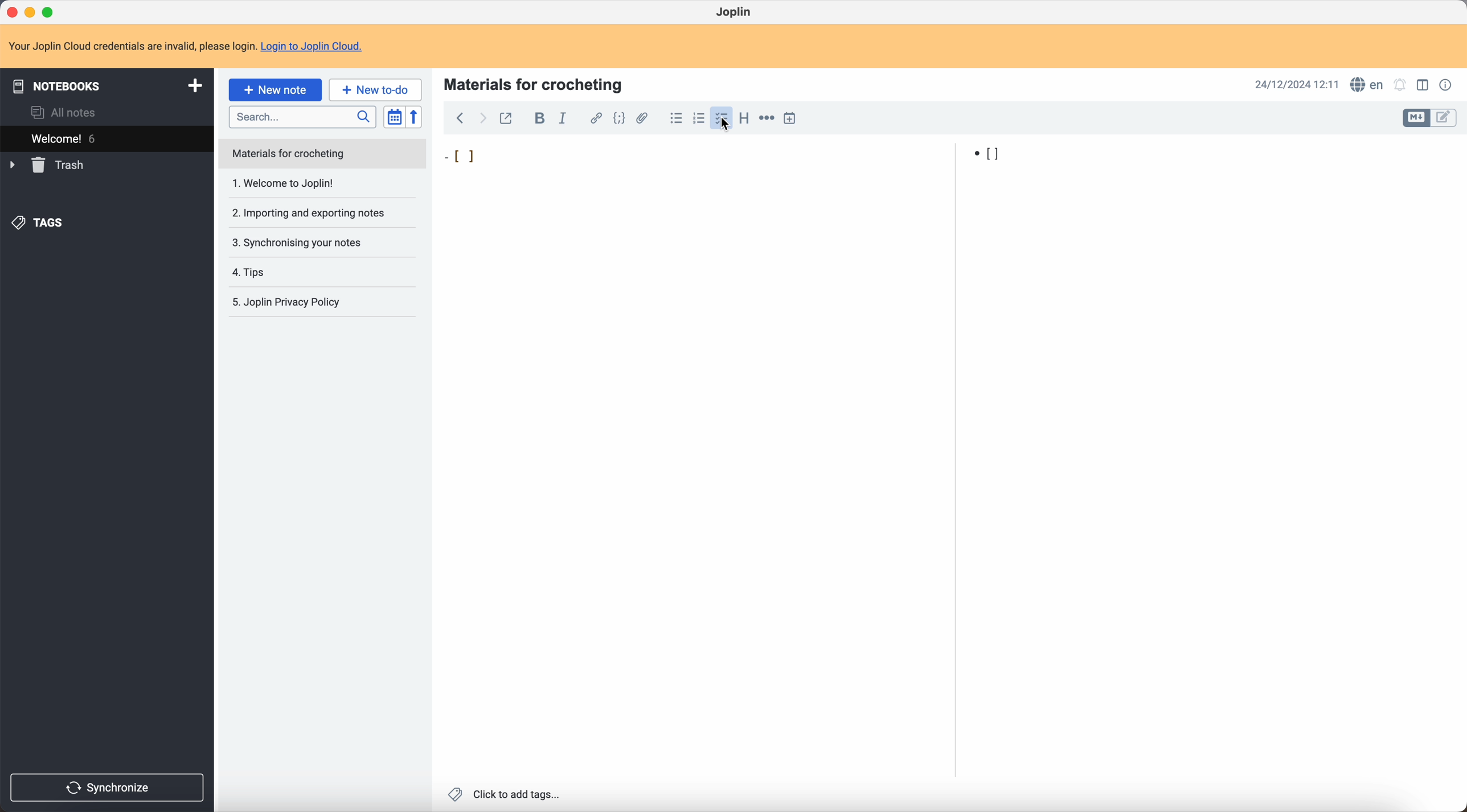  What do you see at coordinates (460, 120) in the screenshot?
I see `back` at bounding box center [460, 120].